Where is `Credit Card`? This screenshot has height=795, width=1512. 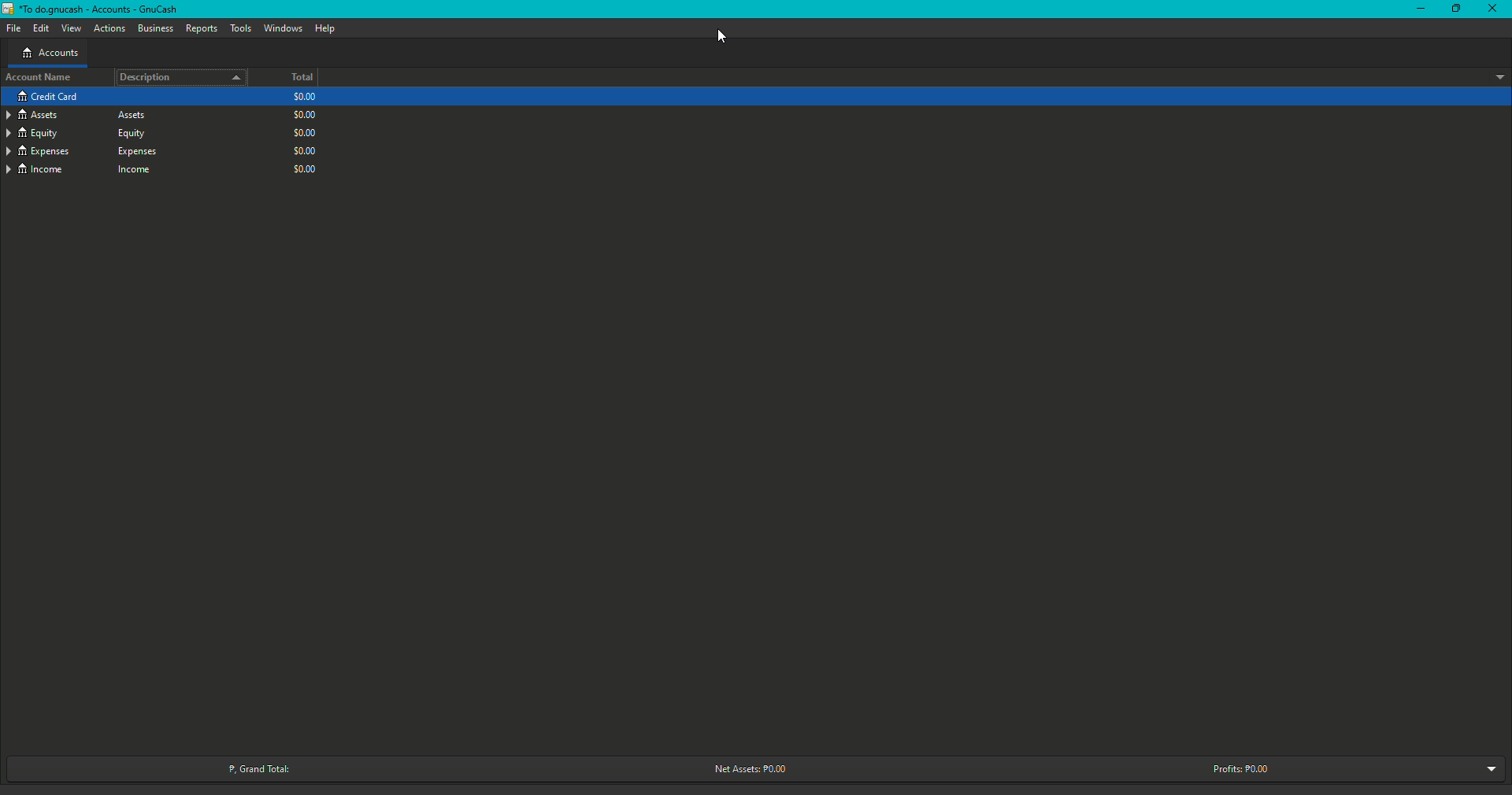
Credit Card is located at coordinates (82, 115).